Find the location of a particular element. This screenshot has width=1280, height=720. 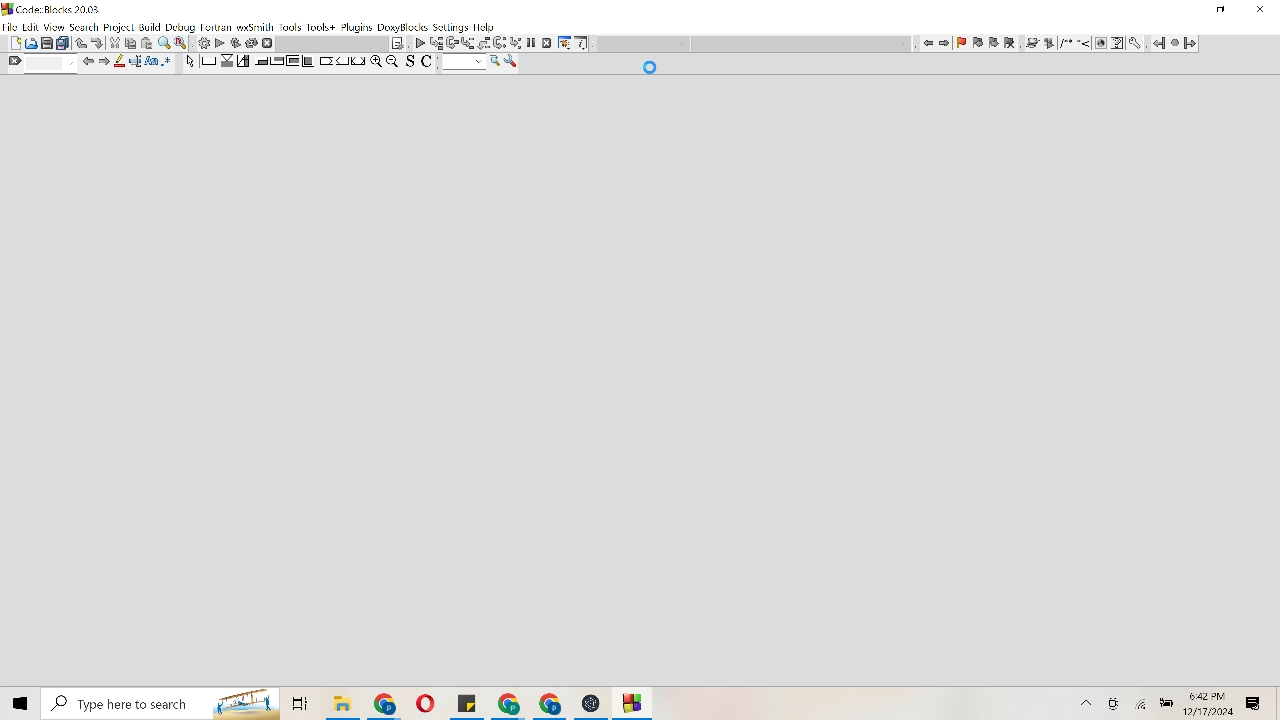

Find is located at coordinates (40, 64).